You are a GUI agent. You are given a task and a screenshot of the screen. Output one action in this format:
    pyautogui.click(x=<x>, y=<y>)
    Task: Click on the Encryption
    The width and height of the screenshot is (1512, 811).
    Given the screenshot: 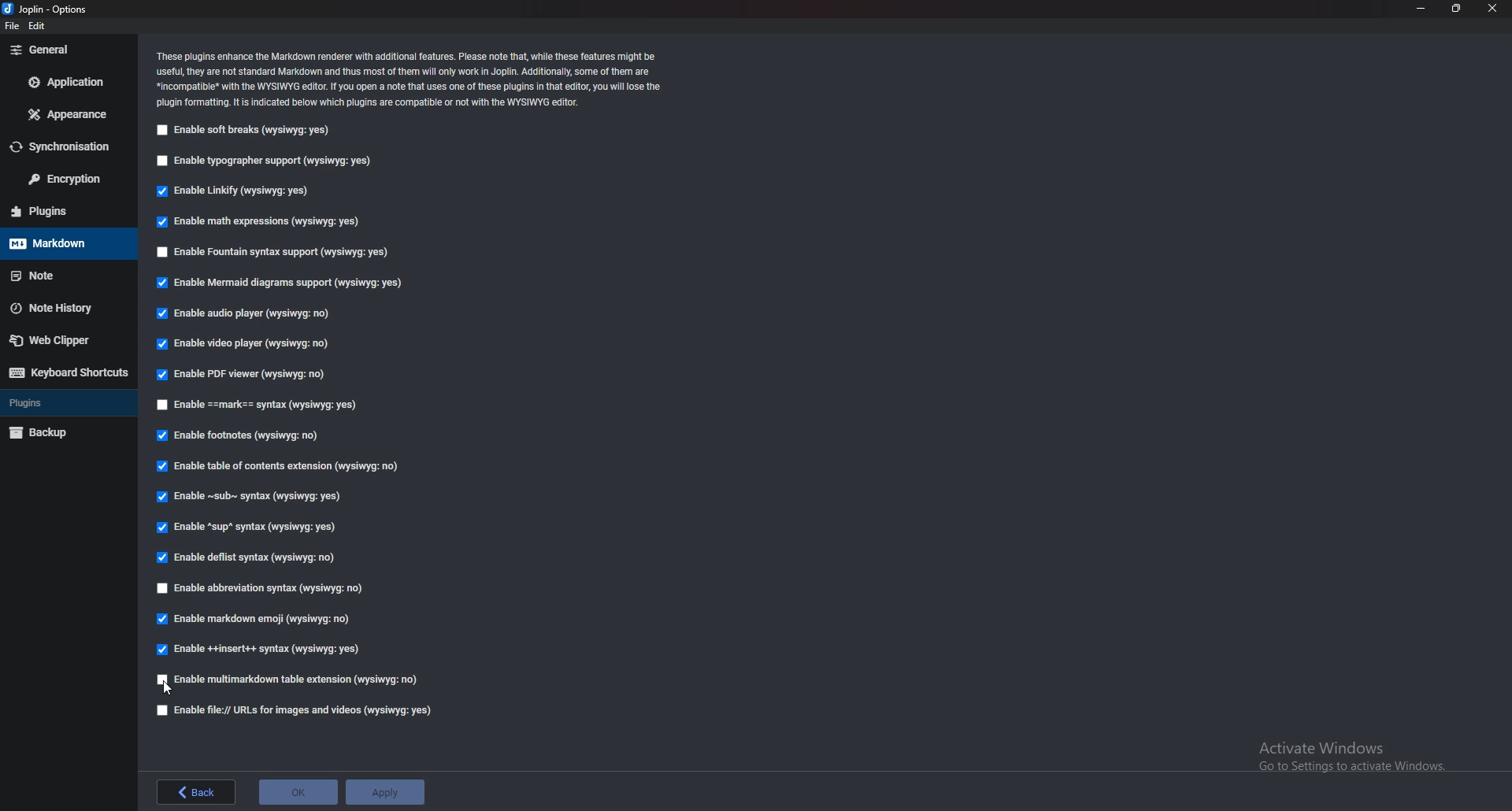 What is the action you would take?
    pyautogui.click(x=65, y=178)
    